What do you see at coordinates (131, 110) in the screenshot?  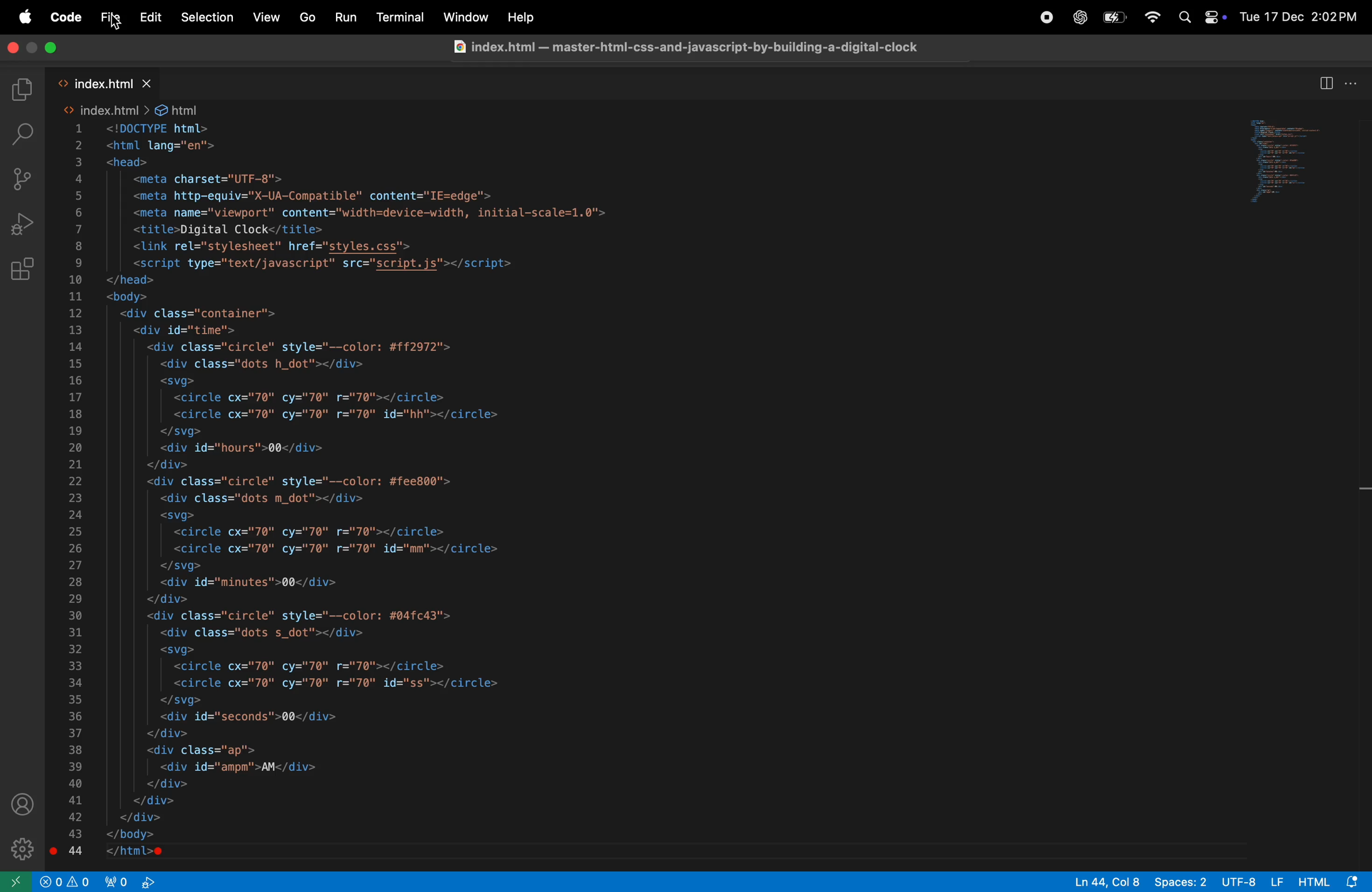 I see `index html file path` at bounding box center [131, 110].